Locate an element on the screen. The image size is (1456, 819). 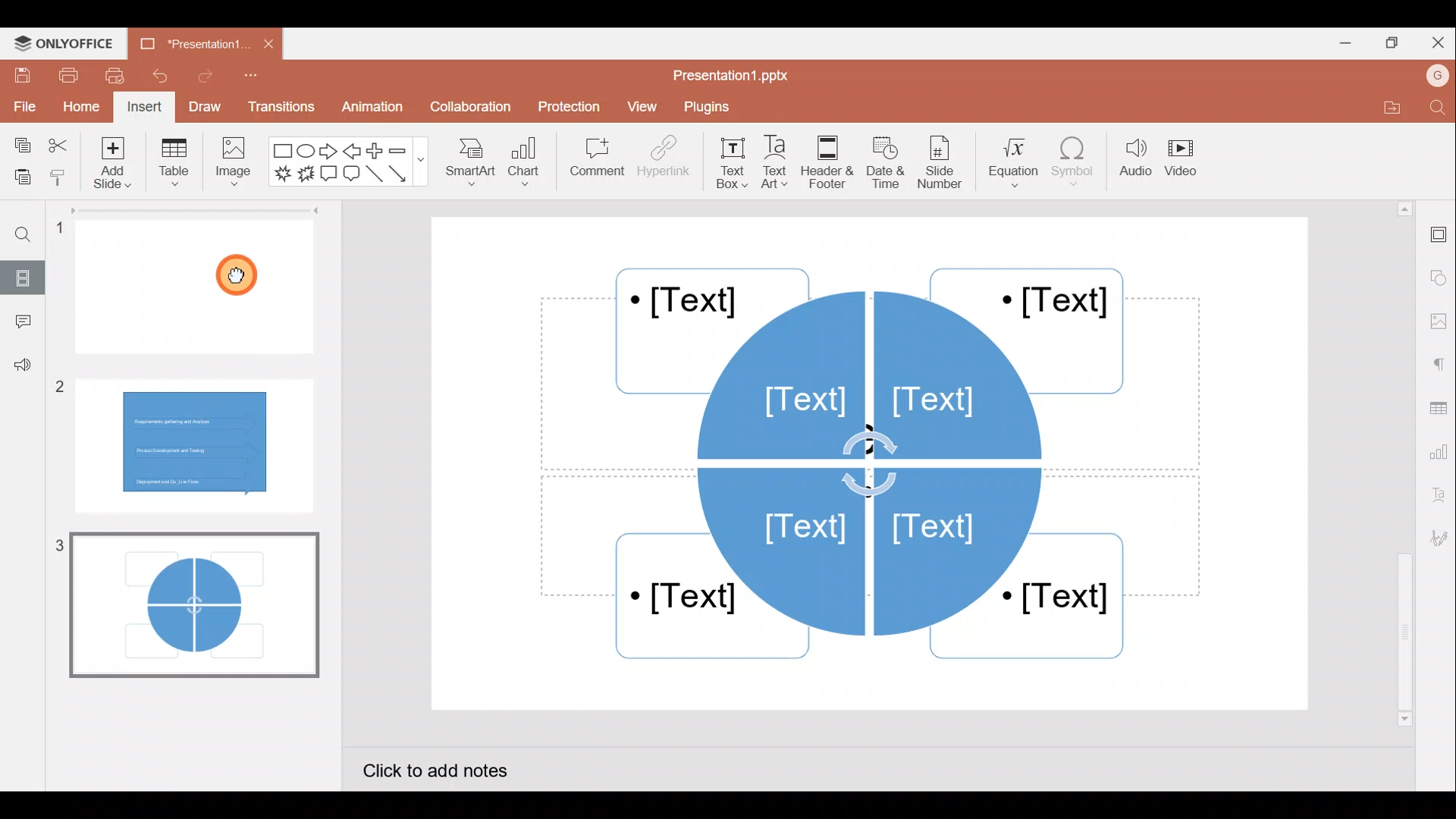
Slides is located at coordinates (27, 275).